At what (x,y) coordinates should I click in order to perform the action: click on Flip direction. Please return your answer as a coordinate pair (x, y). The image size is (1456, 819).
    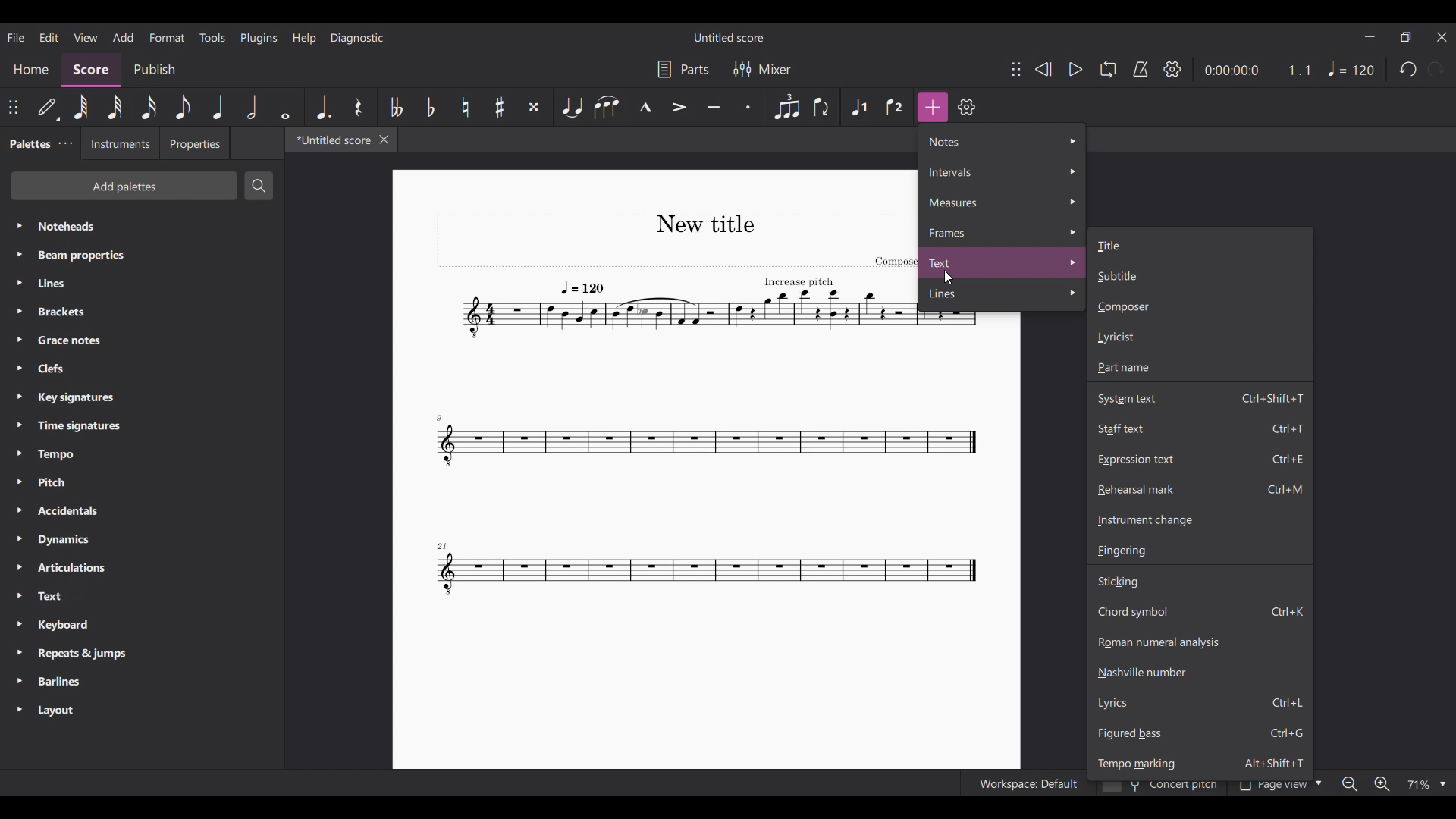
    Looking at the image, I should click on (821, 108).